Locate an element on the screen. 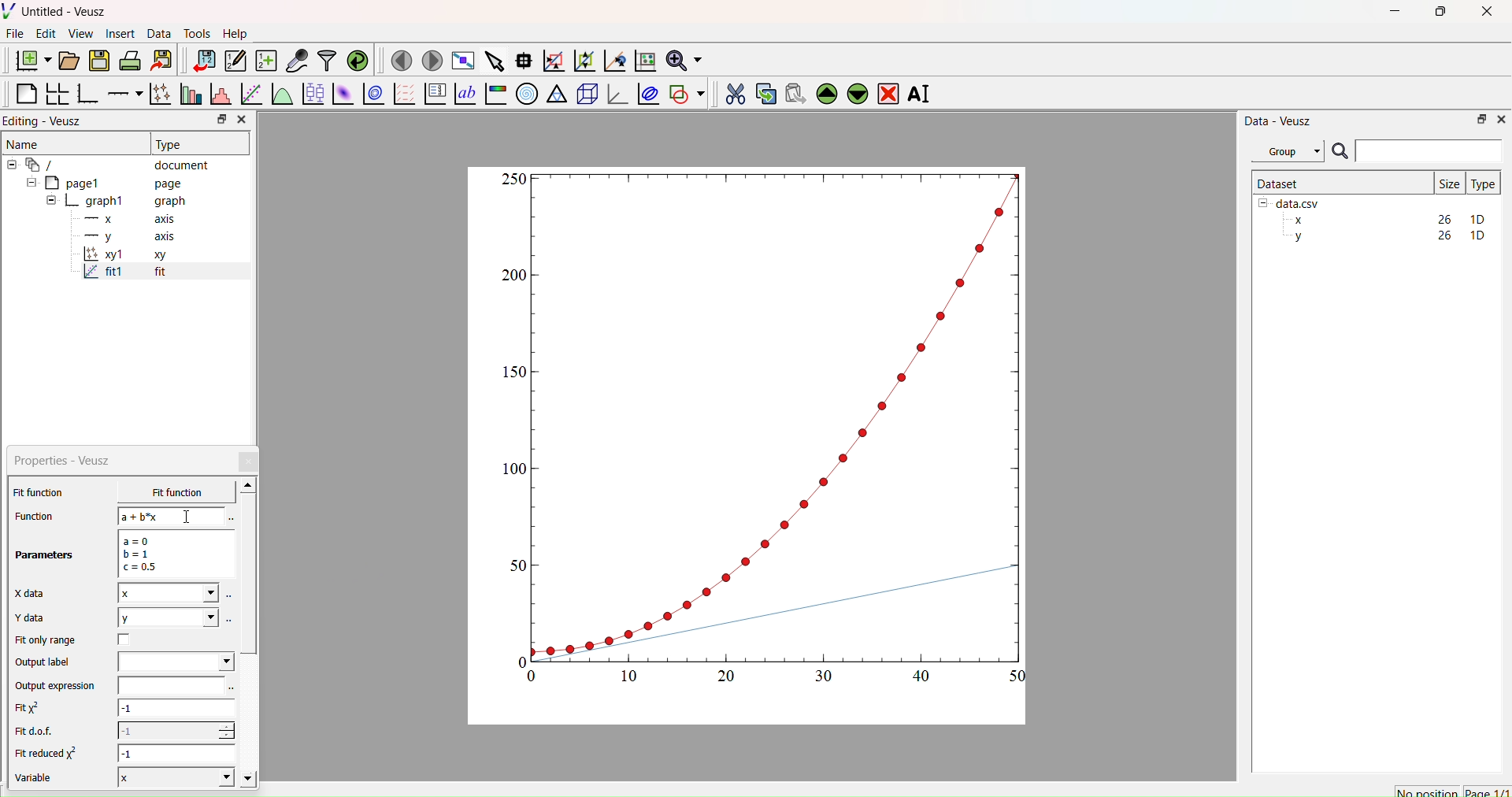 The width and height of the screenshot is (1512, 797). Cursor is located at coordinates (189, 518).